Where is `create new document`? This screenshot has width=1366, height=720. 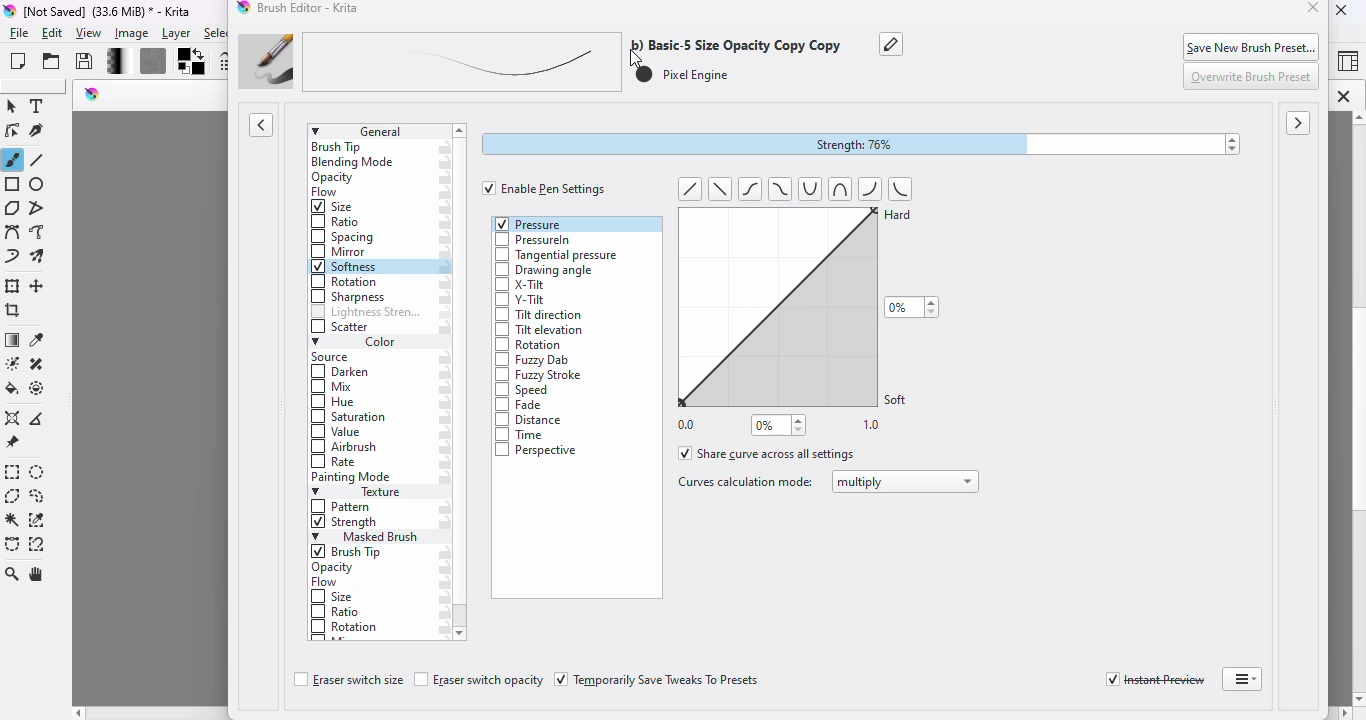
create new document is located at coordinates (18, 61).